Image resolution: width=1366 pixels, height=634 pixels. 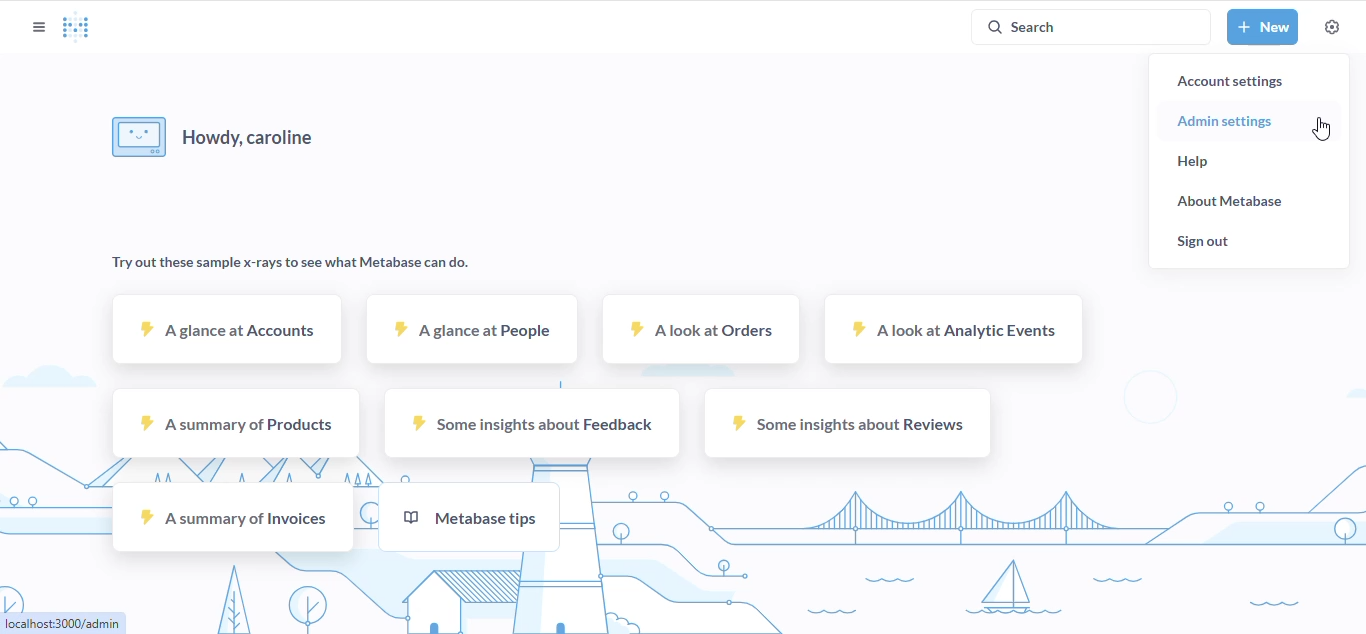 What do you see at coordinates (290, 263) in the screenshot?
I see `try out these sample x-rays to see what metabase can do.` at bounding box center [290, 263].